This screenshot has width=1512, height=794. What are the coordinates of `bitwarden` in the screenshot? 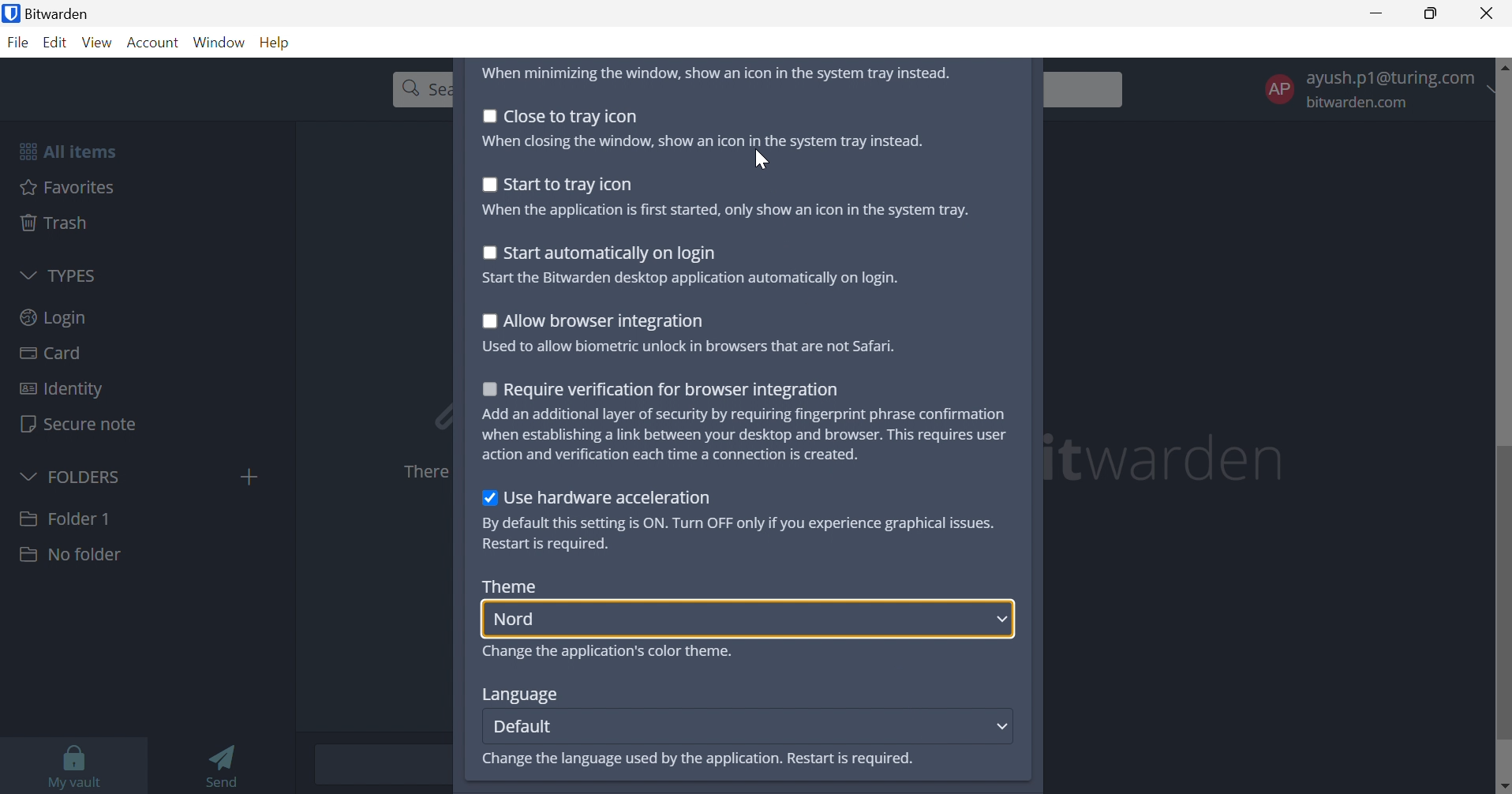 It's located at (1169, 458).